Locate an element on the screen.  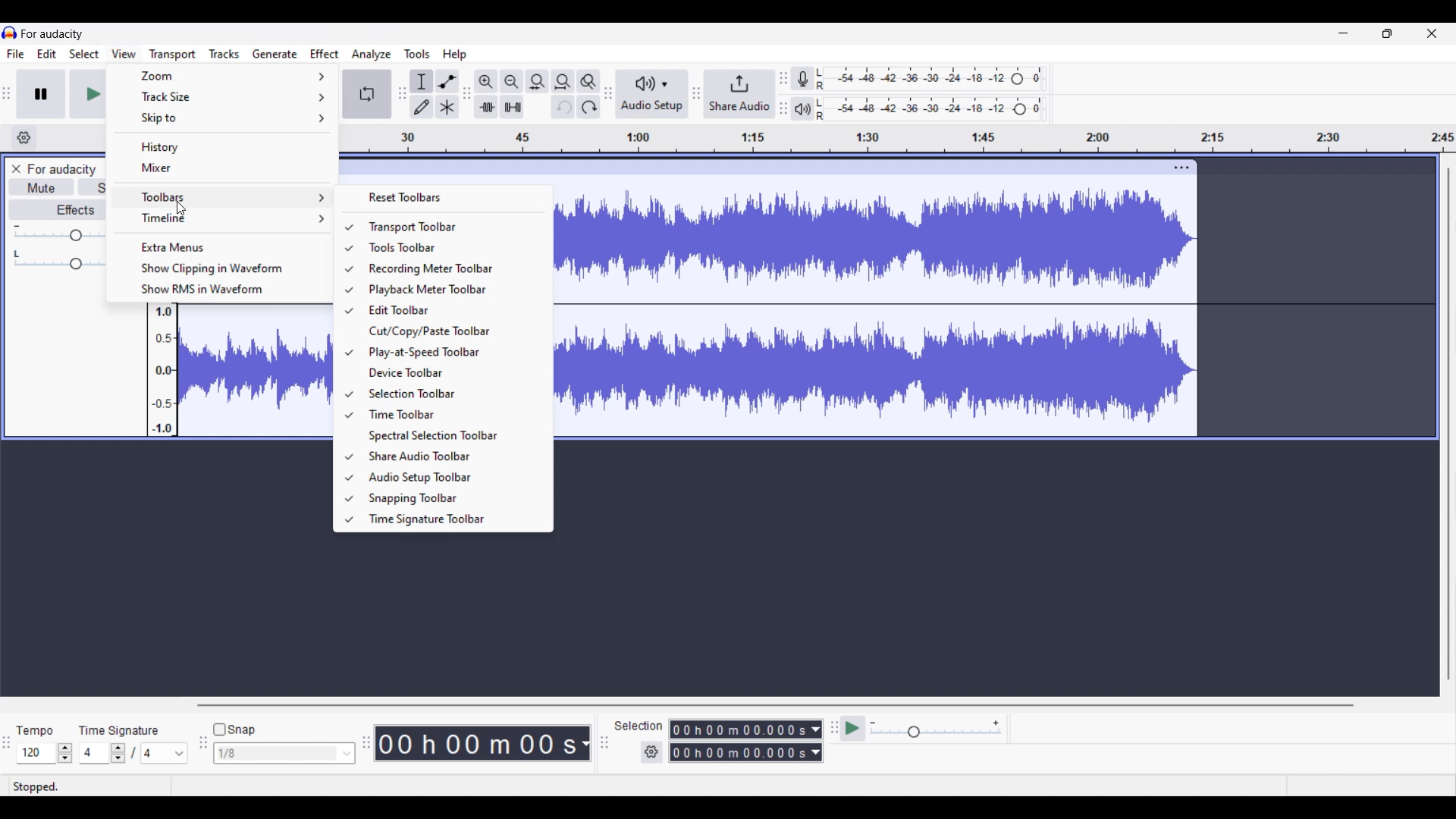
File is located at coordinates (16, 54).